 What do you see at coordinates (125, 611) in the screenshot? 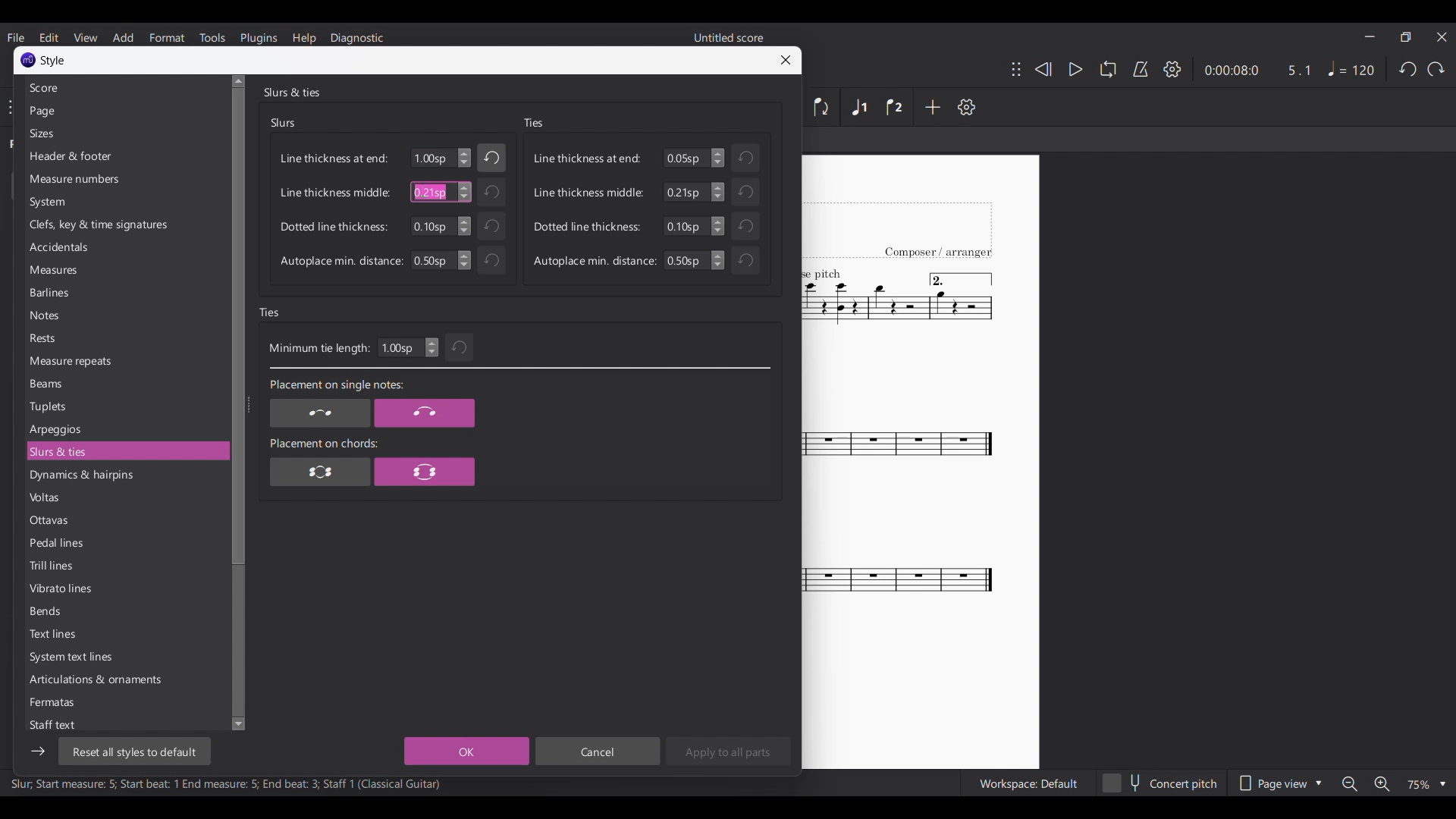
I see `Bends` at bounding box center [125, 611].